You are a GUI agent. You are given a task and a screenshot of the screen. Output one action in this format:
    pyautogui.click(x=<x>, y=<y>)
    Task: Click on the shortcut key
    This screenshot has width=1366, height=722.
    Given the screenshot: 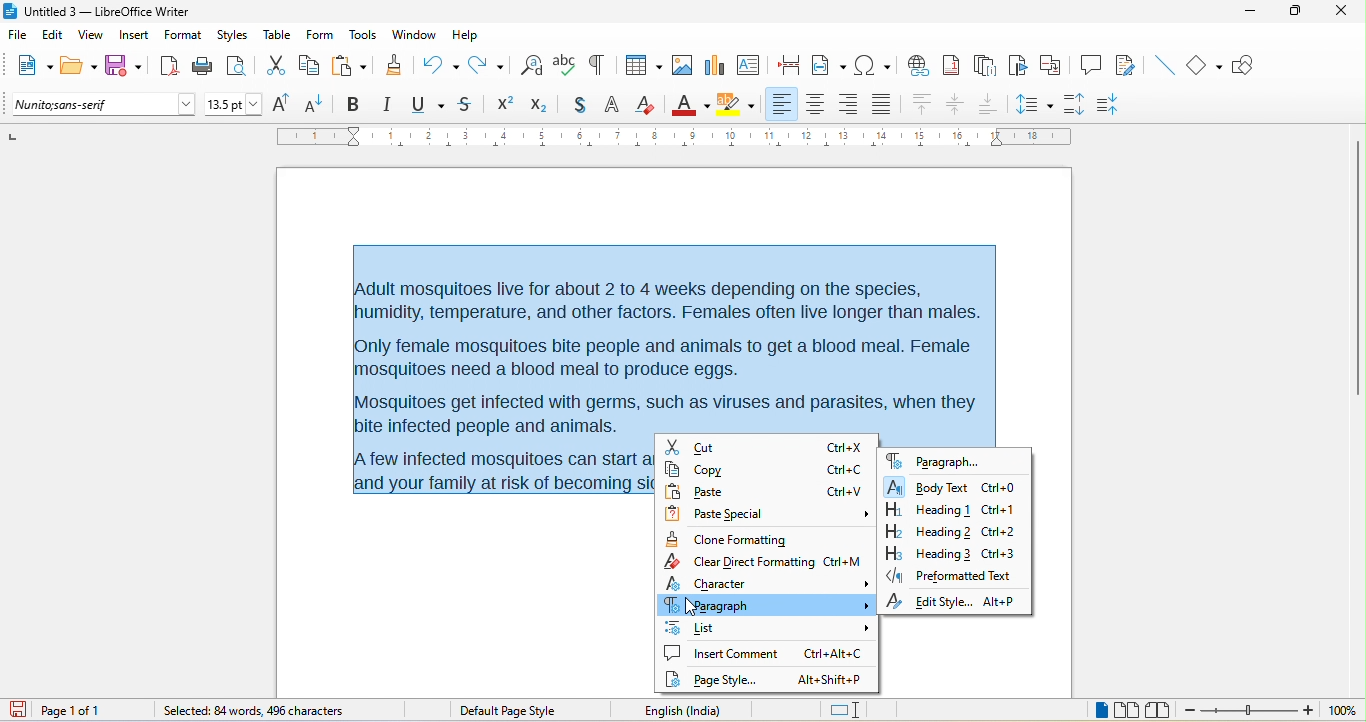 What is the action you would take?
    pyautogui.click(x=1000, y=511)
    